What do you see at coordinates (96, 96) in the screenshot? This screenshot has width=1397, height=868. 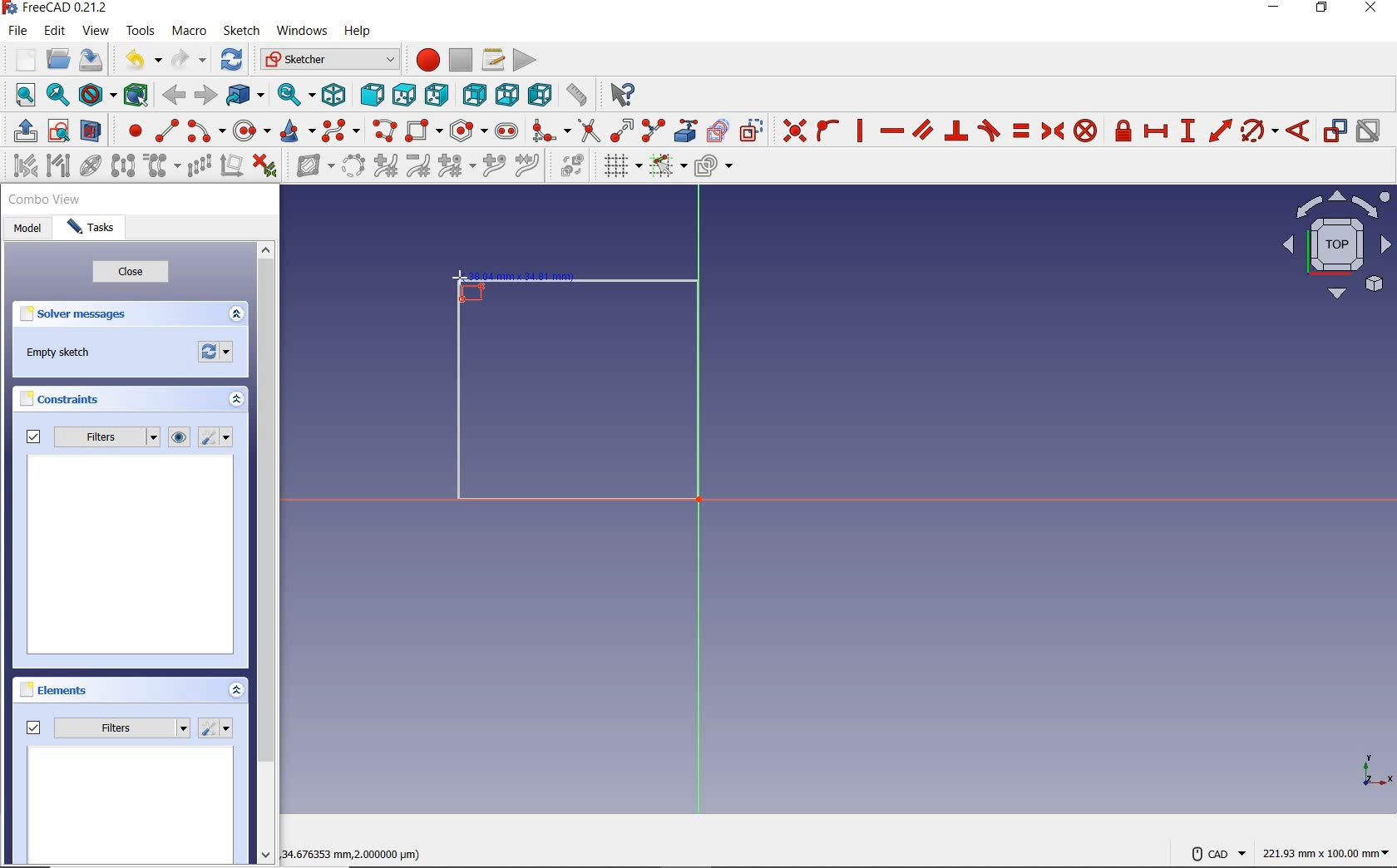 I see `draw style` at bounding box center [96, 96].